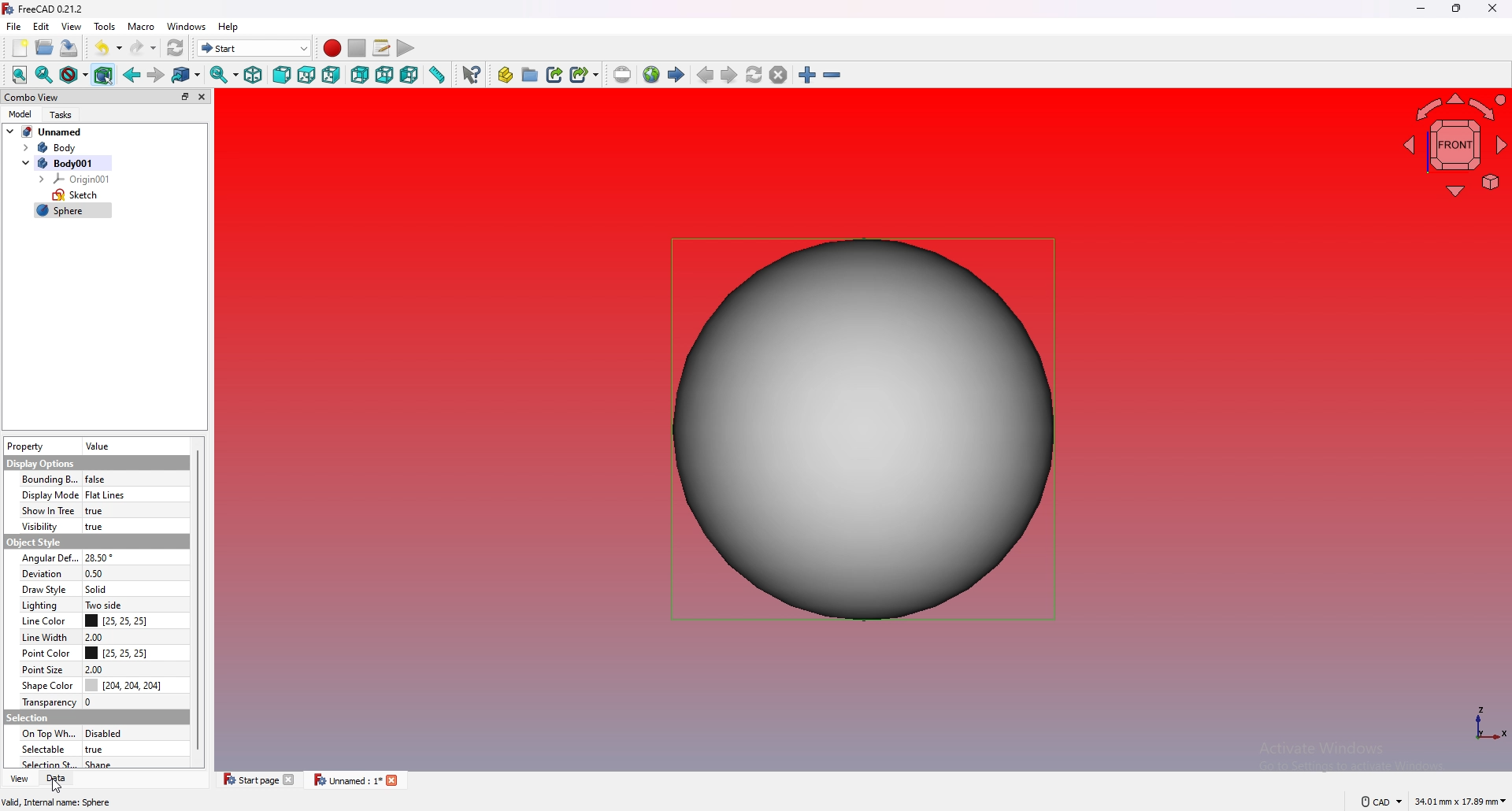  I want to click on front, so click(281, 75).